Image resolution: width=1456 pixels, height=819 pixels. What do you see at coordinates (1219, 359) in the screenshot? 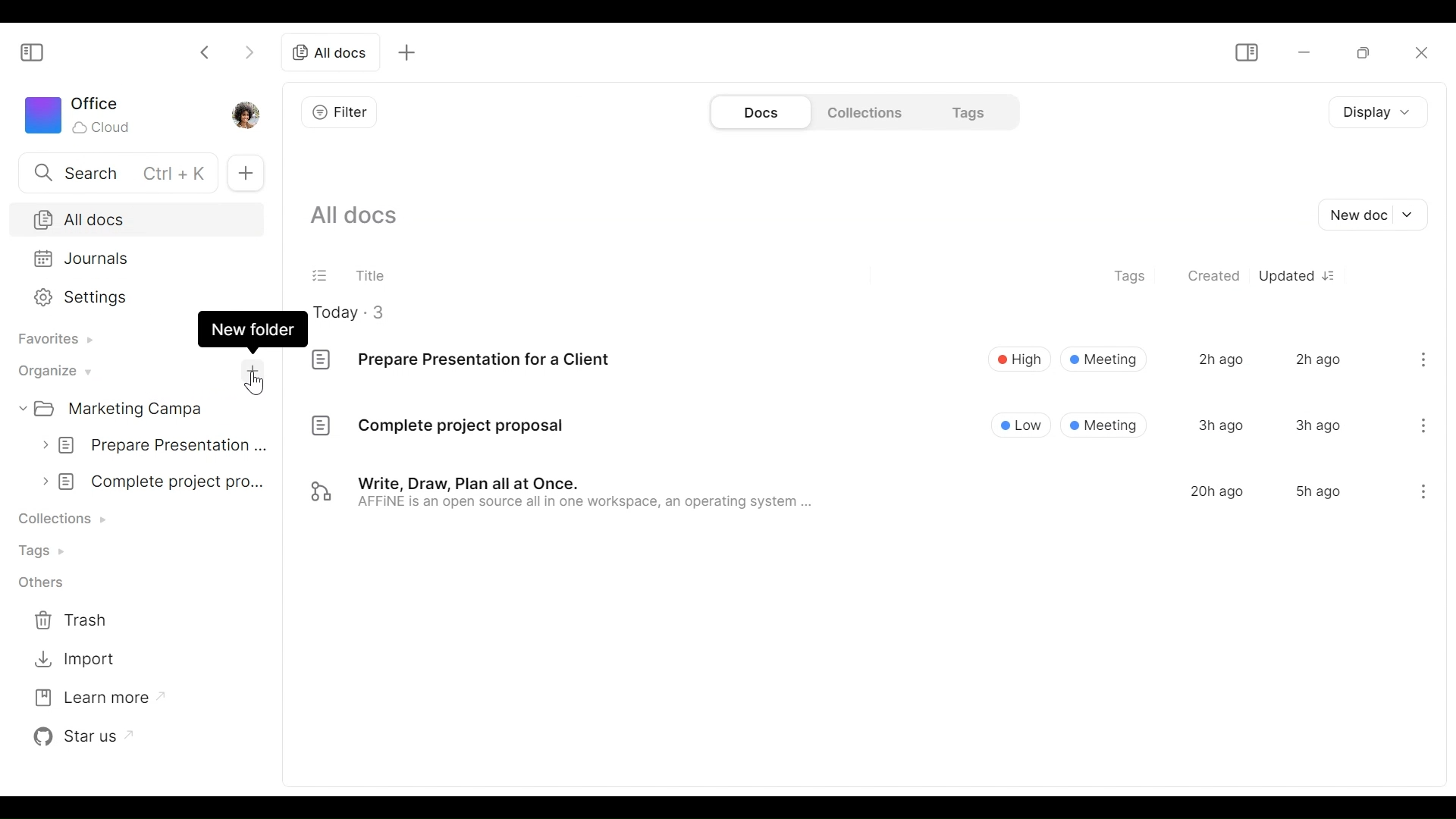
I see `2h ago` at bounding box center [1219, 359].